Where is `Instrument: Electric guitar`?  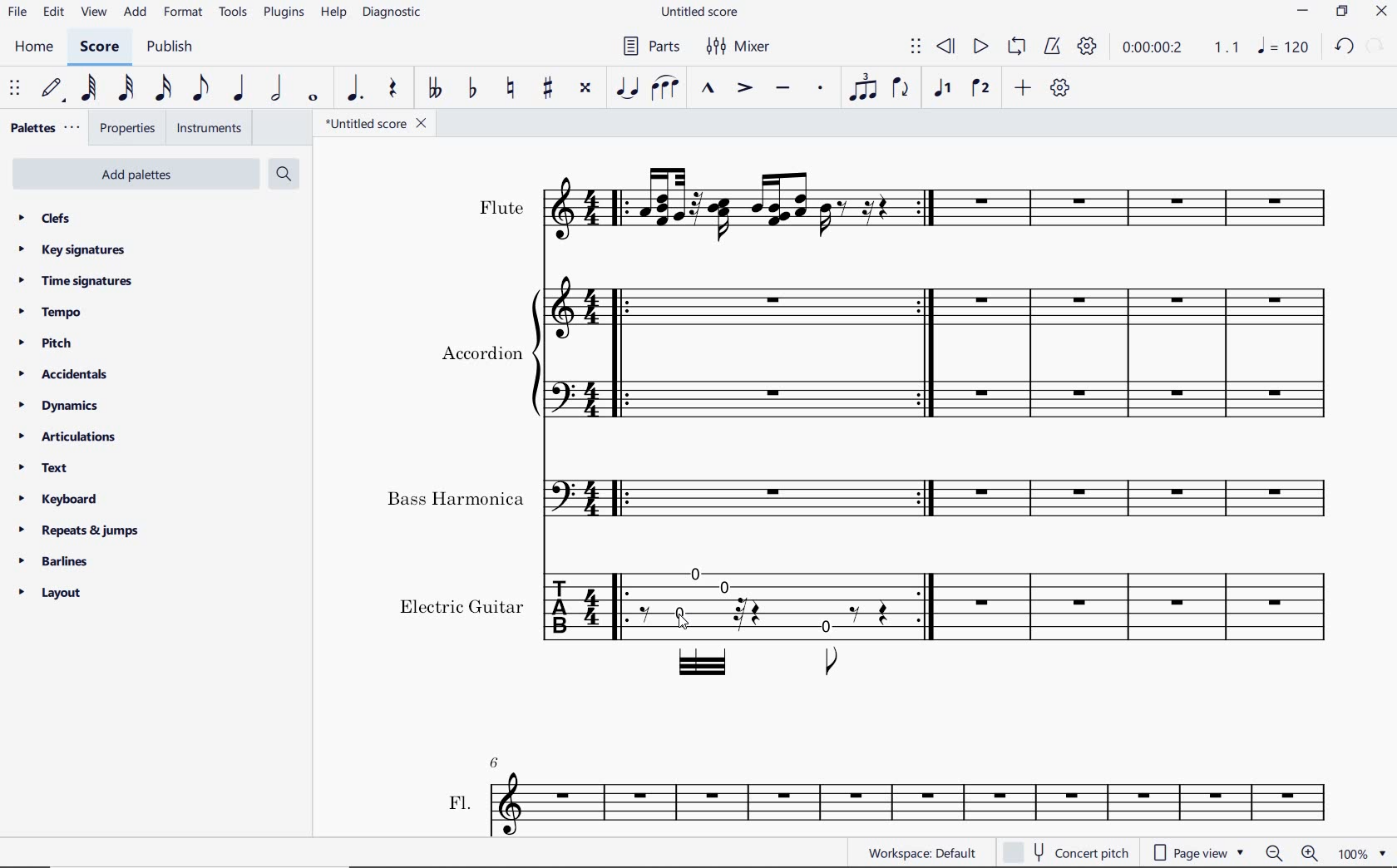
Instrument: Electric guitar is located at coordinates (861, 623).